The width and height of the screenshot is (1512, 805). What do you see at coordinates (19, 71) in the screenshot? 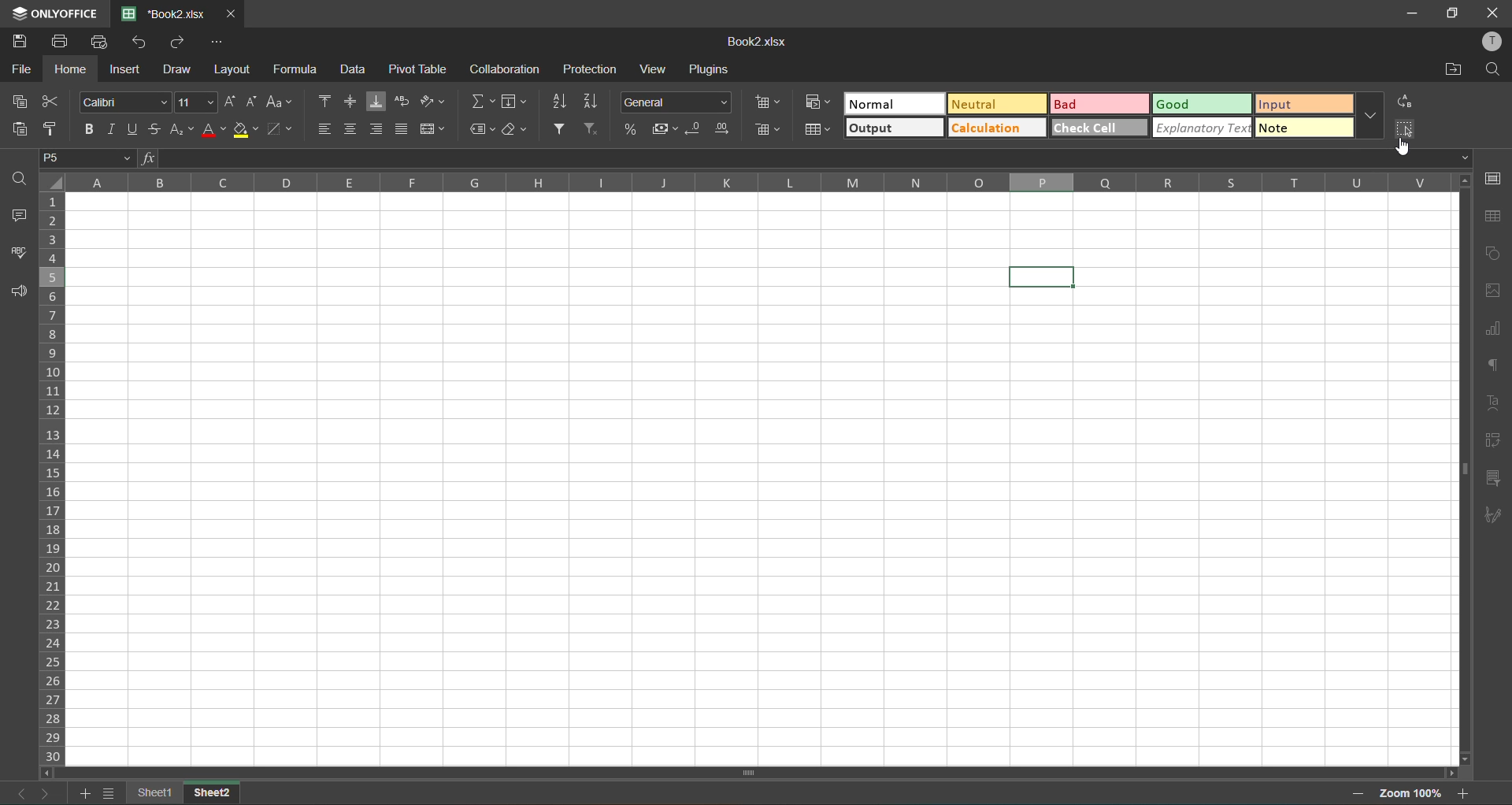
I see `file` at bounding box center [19, 71].